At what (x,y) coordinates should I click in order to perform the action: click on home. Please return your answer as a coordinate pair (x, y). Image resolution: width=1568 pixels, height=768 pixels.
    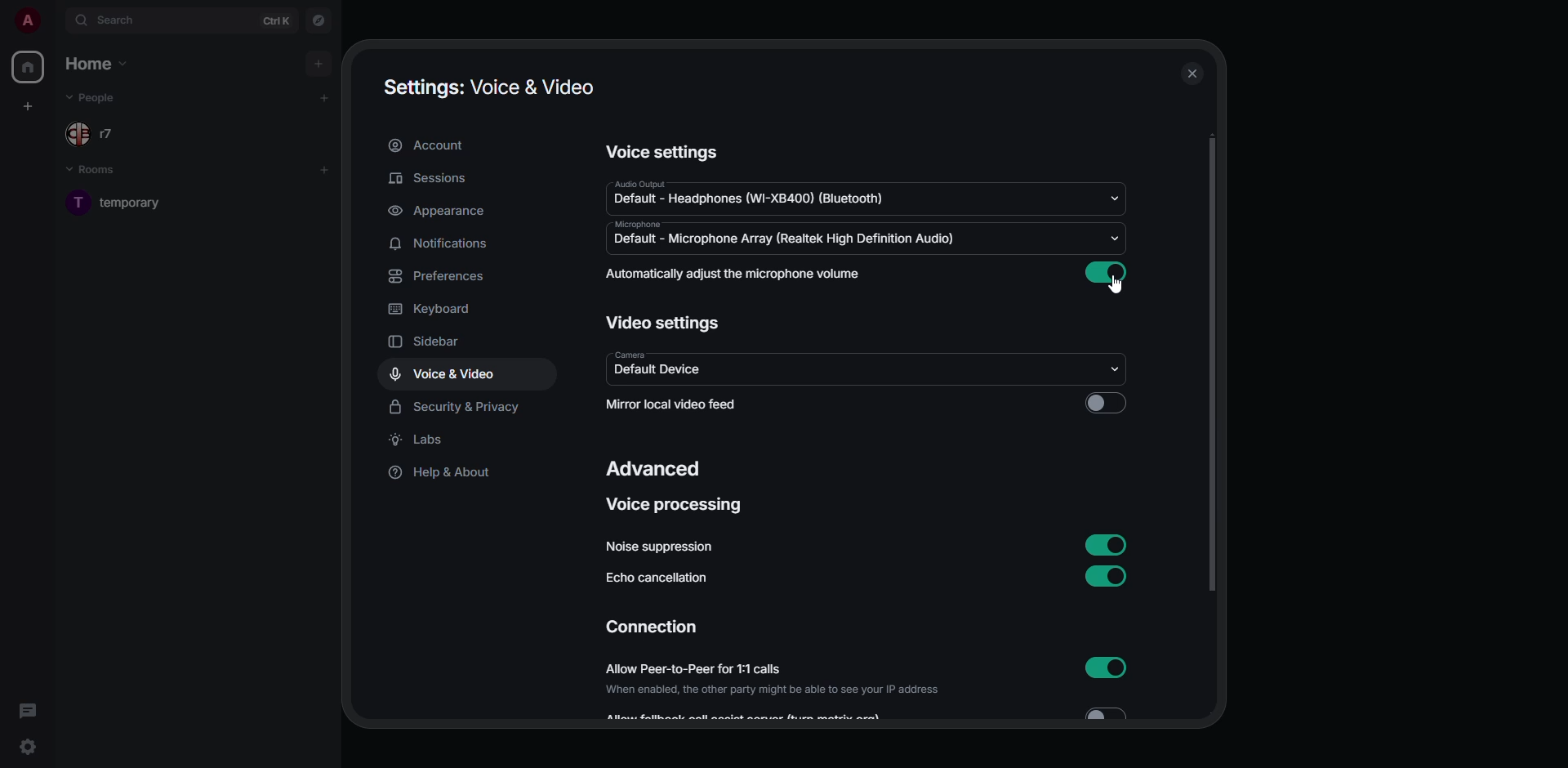
    Looking at the image, I should click on (29, 67).